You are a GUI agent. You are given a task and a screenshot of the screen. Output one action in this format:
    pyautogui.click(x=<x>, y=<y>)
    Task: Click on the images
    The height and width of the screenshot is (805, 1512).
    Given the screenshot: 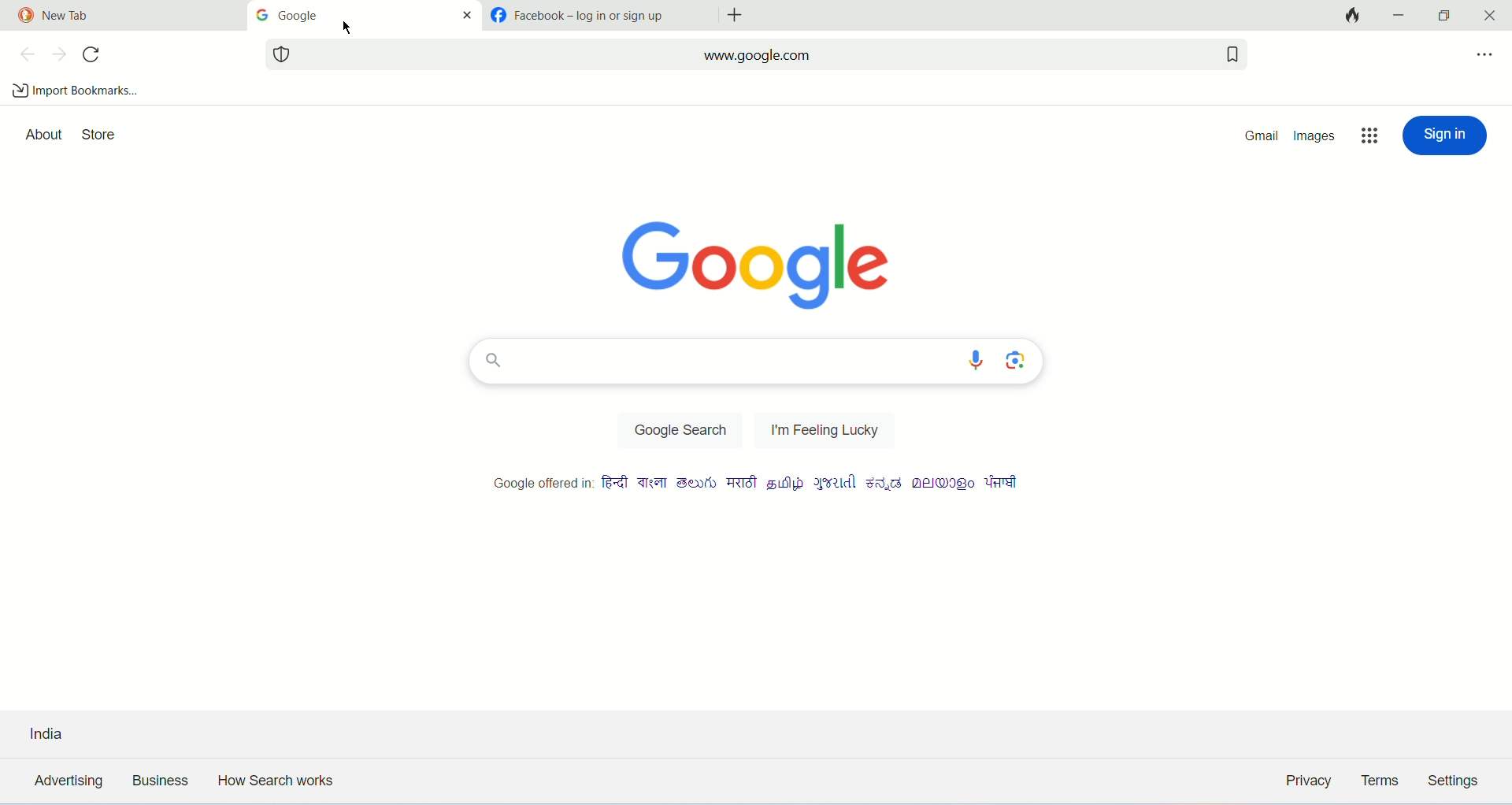 What is the action you would take?
    pyautogui.click(x=1316, y=135)
    